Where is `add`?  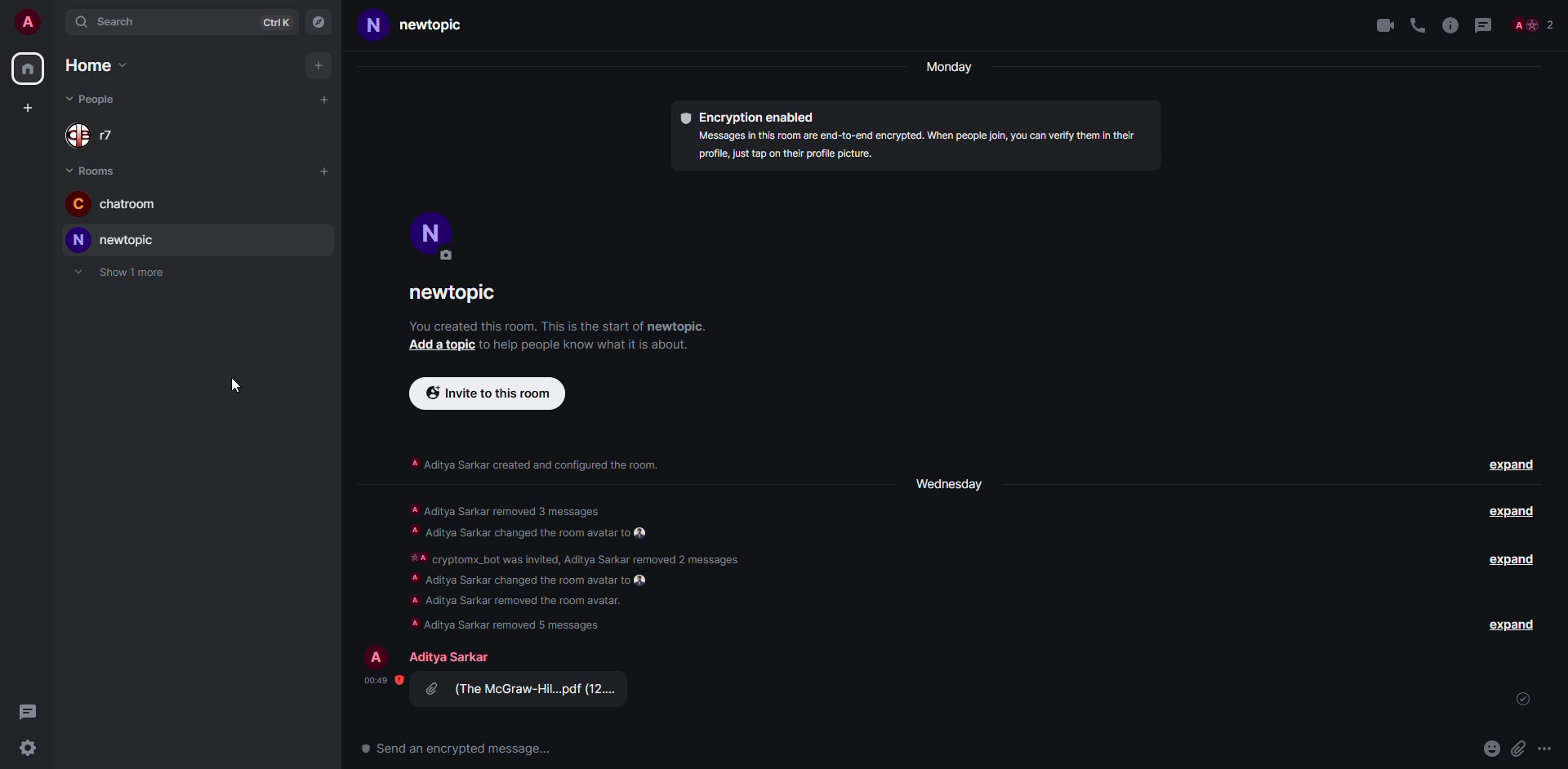
add is located at coordinates (323, 101).